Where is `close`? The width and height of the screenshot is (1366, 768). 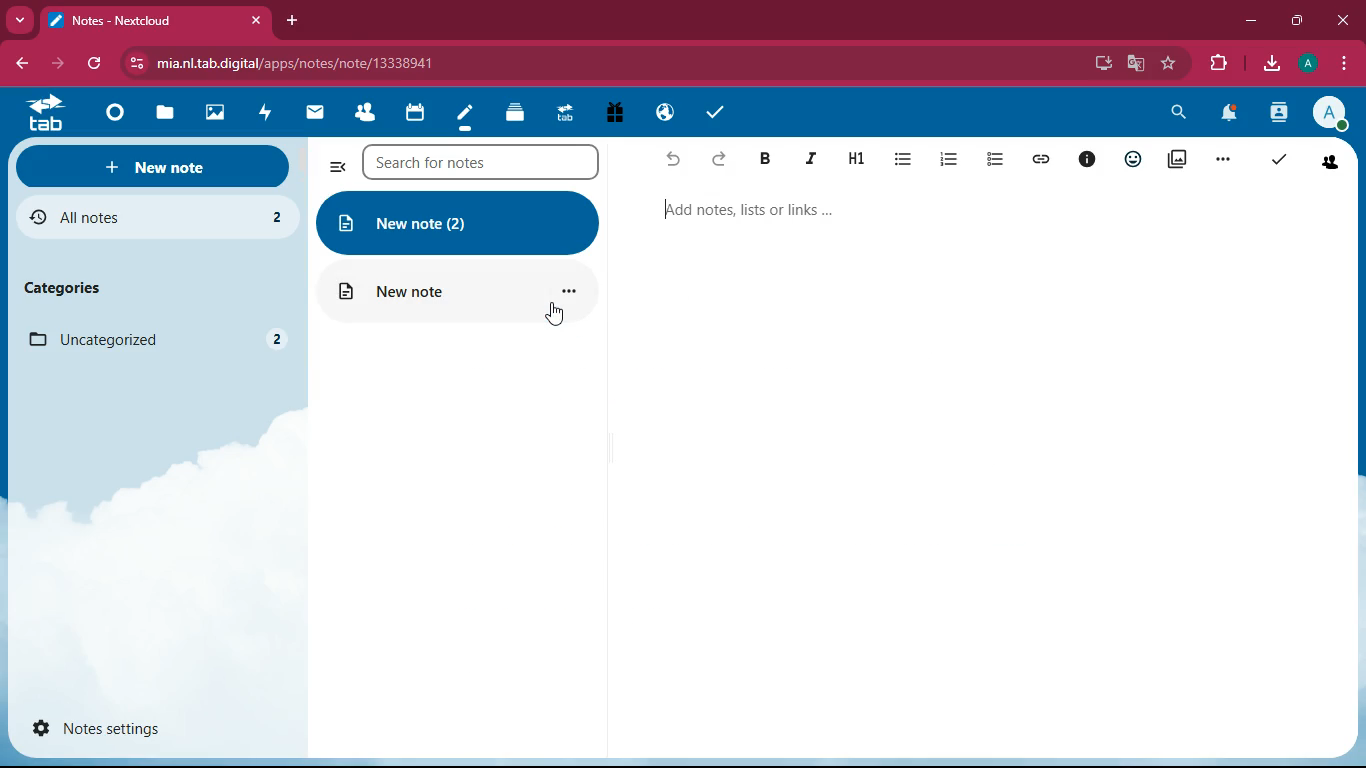 close is located at coordinates (1345, 21).